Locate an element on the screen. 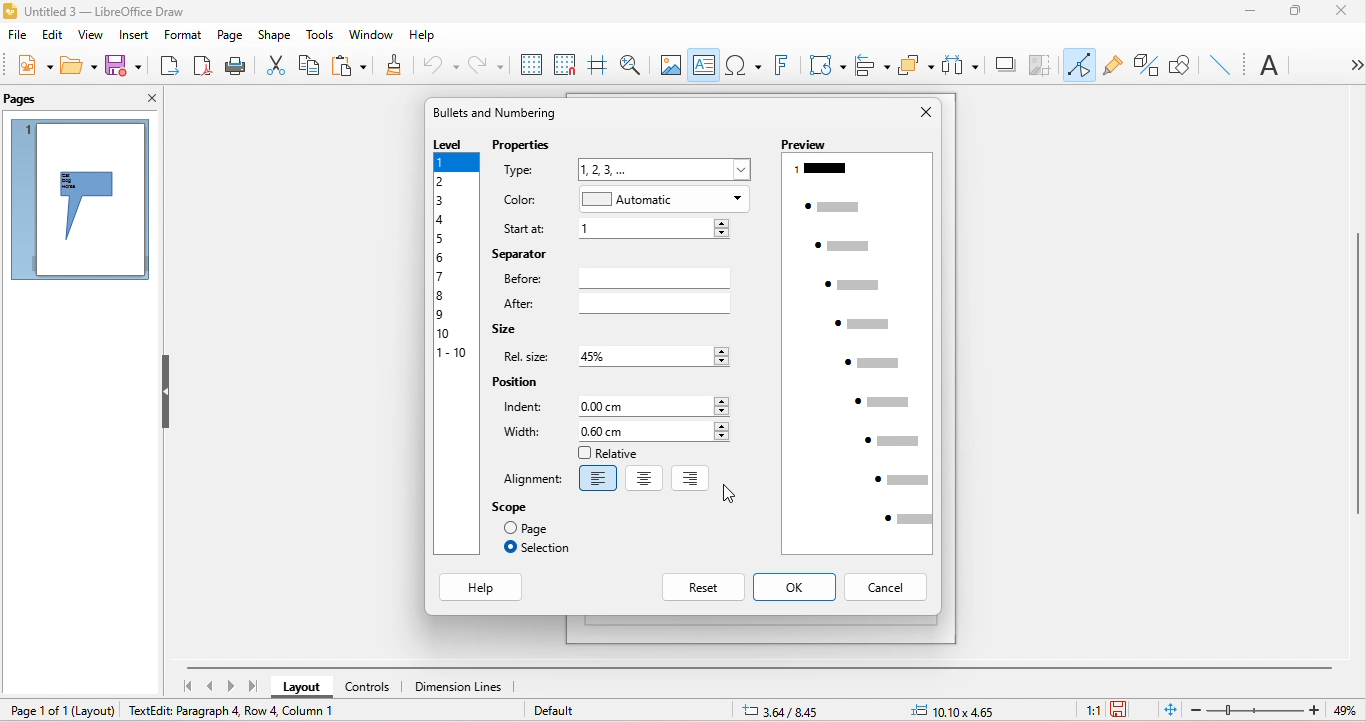 The width and height of the screenshot is (1366, 722). select at least three object is located at coordinates (960, 66).